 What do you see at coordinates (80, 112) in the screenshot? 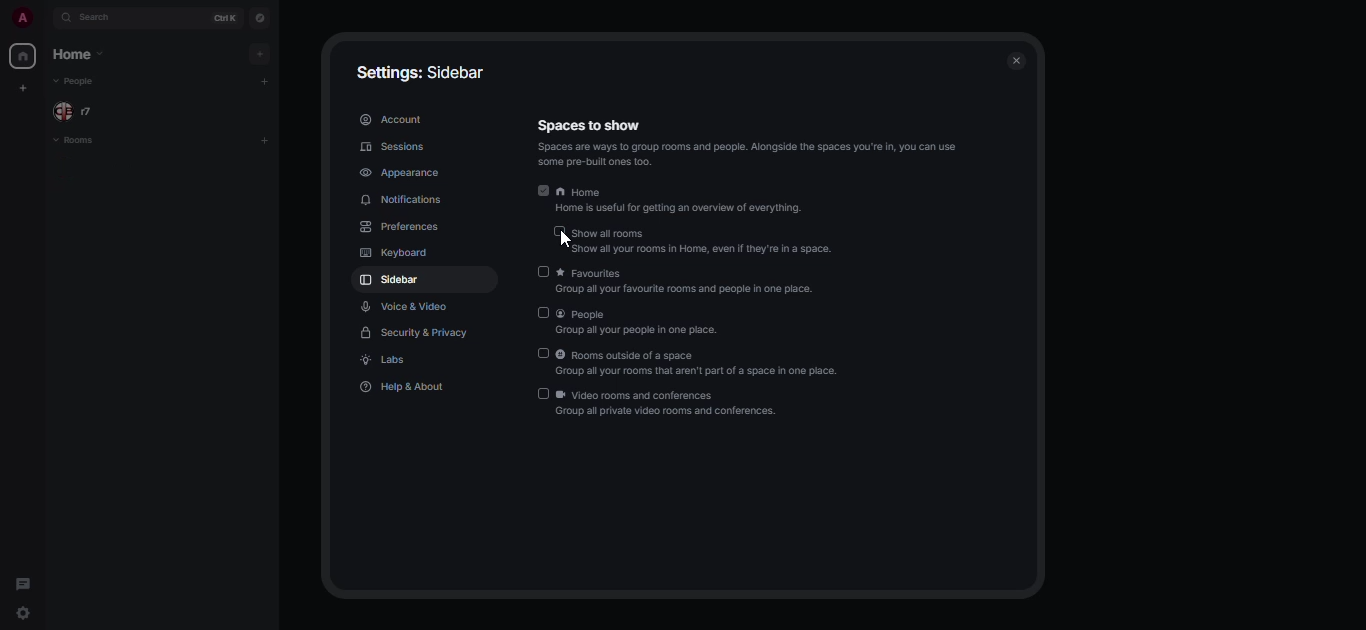
I see `people` at bounding box center [80, 112].